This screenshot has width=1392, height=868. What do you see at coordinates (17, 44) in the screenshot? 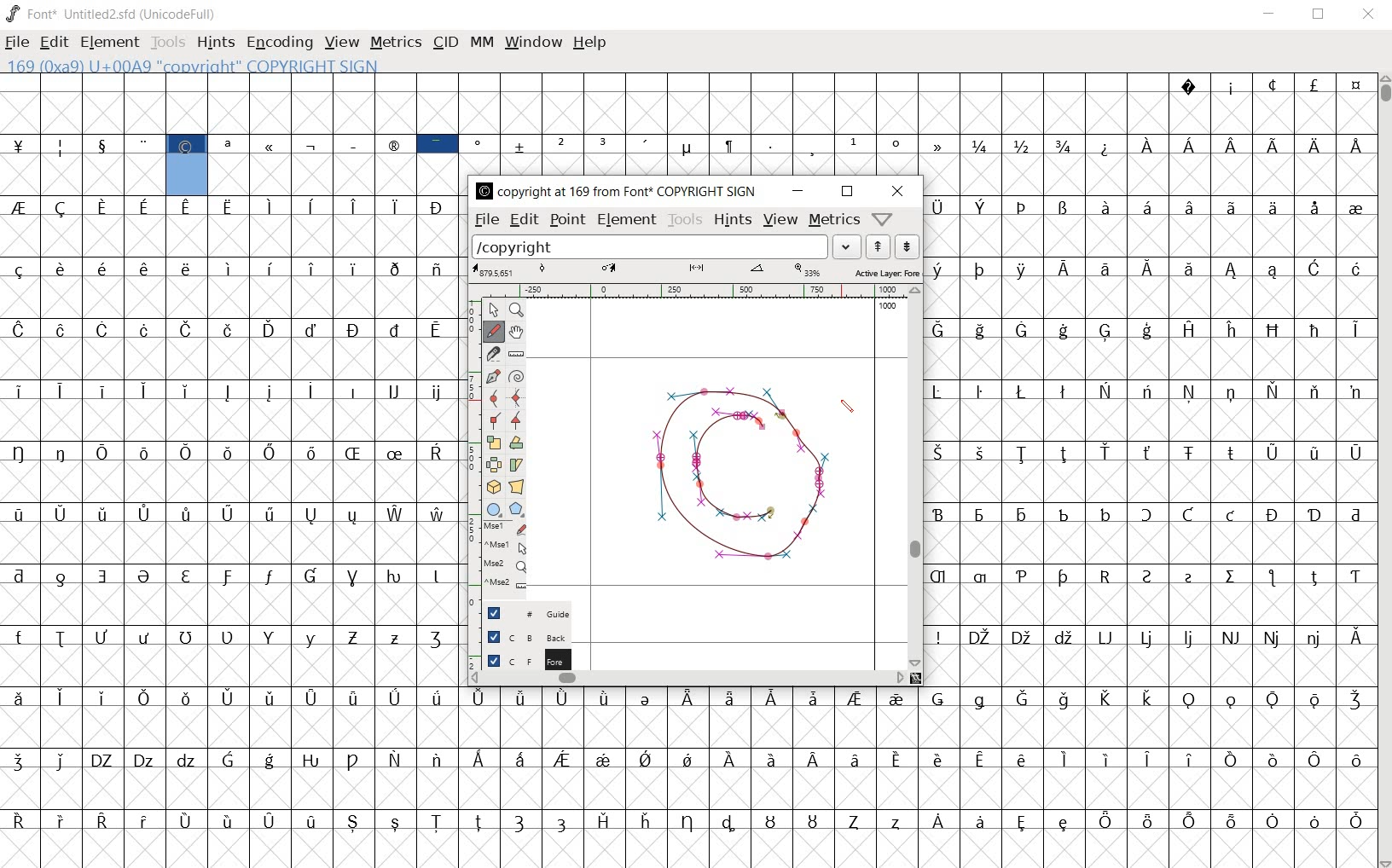
I see `file` at bounding box center [17, 44].